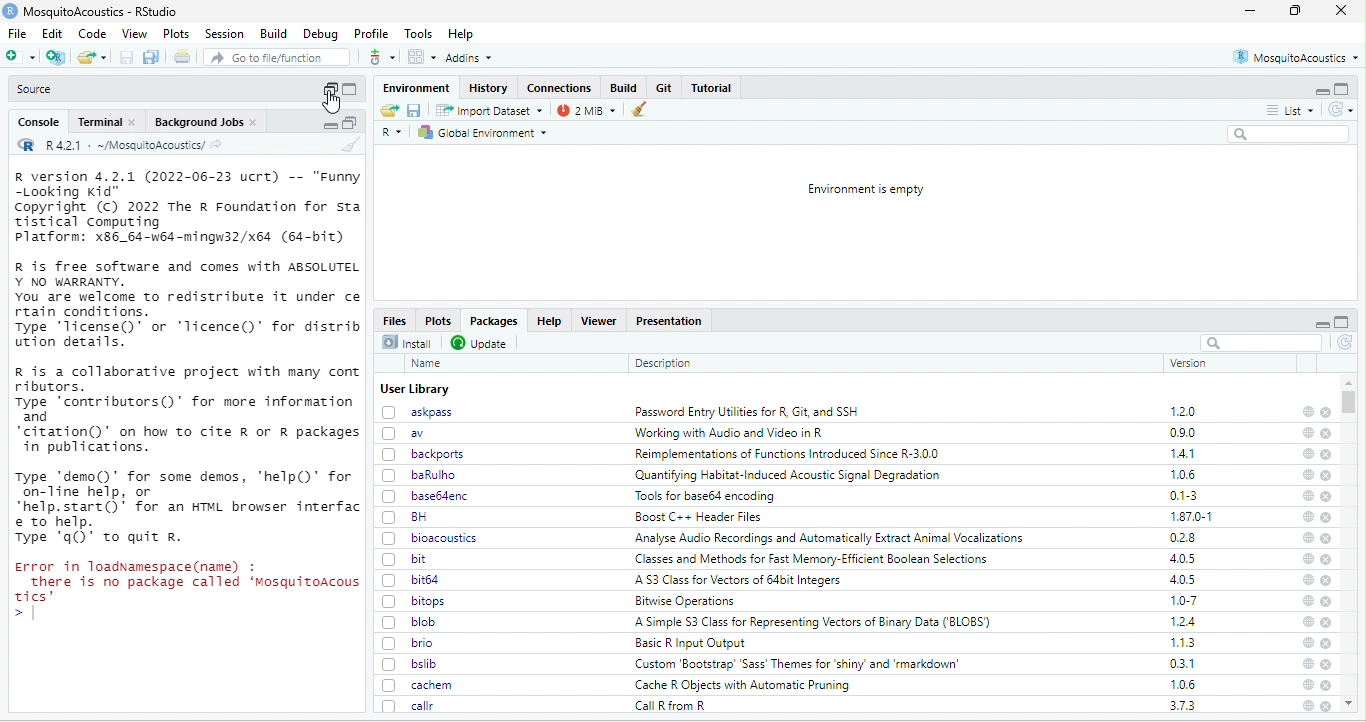 This screenshot has width=1366, height=722. Describe the element at coordinates (410, 705) in the screenshot. I see `callr` at that location.